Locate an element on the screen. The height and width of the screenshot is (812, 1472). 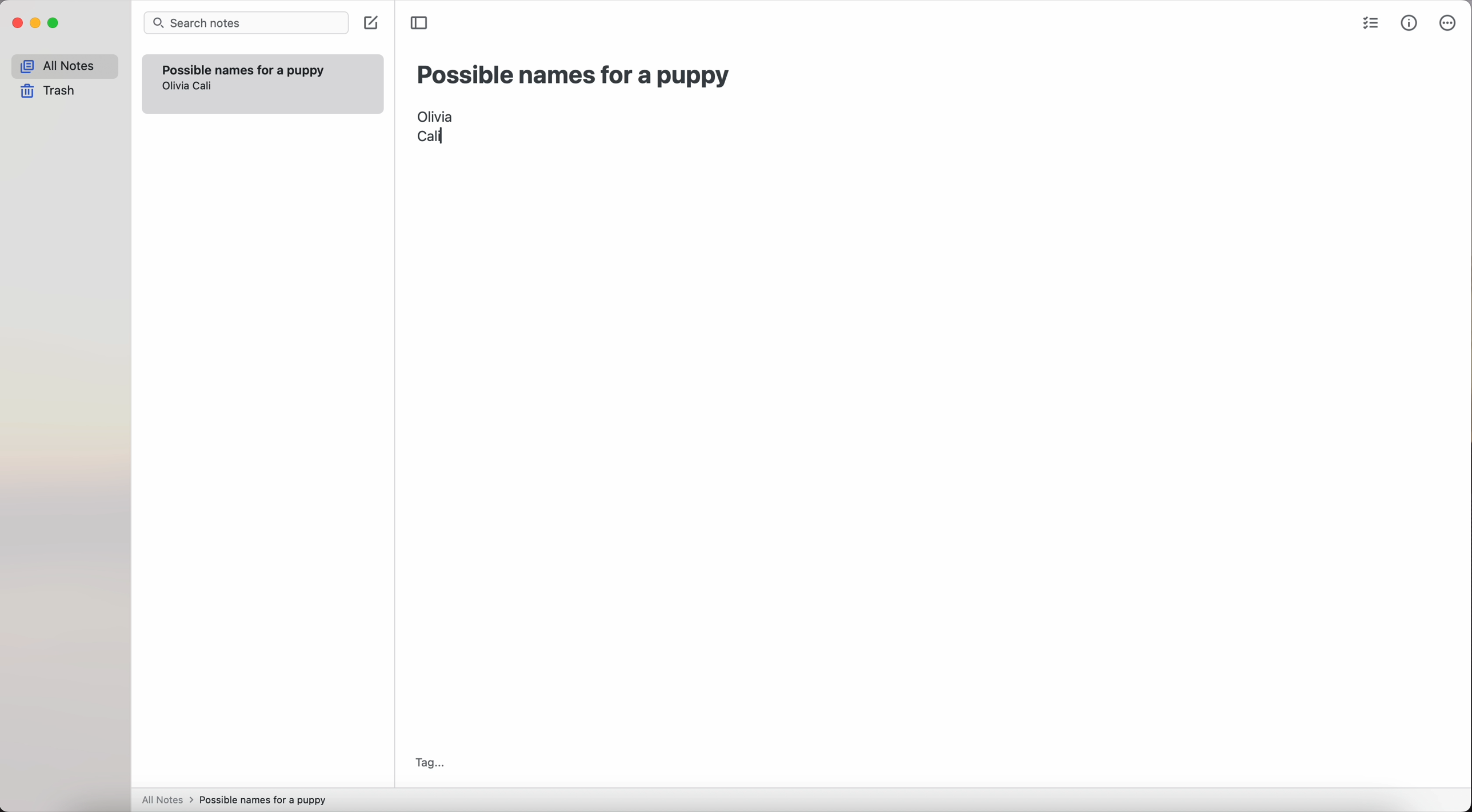
Cali is located at coordinates (430, 135).